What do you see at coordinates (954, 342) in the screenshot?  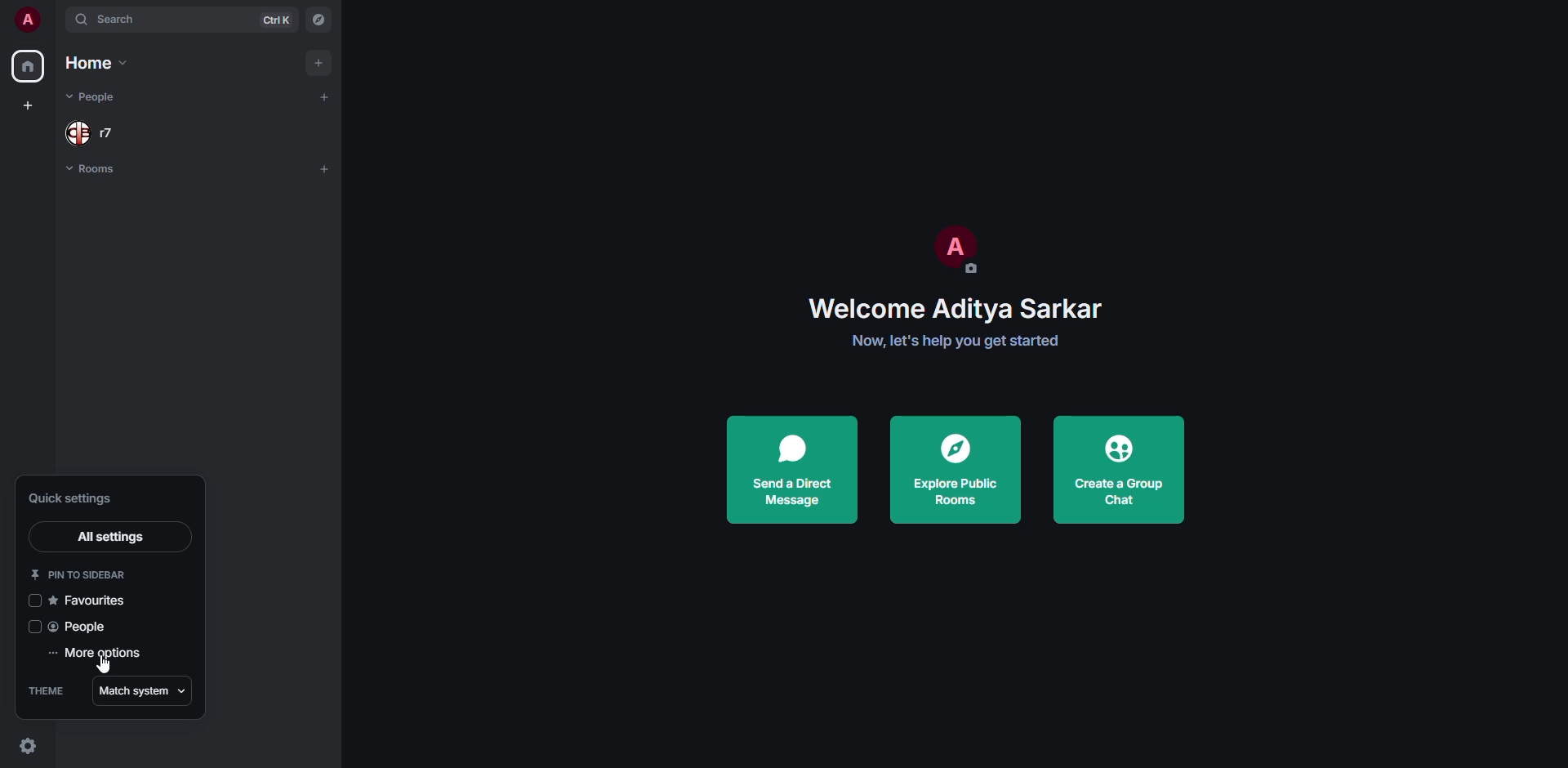 I see `Now, let's help you get started` at bounding box center [954, 342].